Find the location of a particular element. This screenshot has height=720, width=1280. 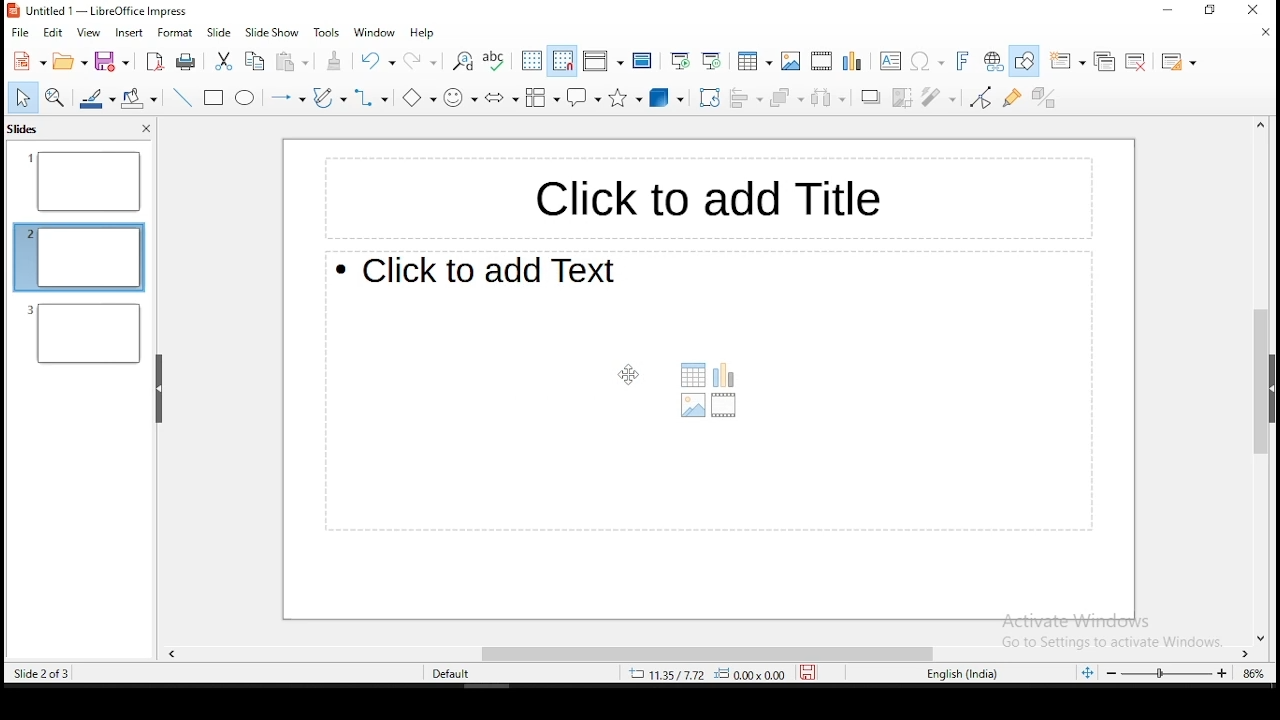

cut is located at coordinates (224, 60).